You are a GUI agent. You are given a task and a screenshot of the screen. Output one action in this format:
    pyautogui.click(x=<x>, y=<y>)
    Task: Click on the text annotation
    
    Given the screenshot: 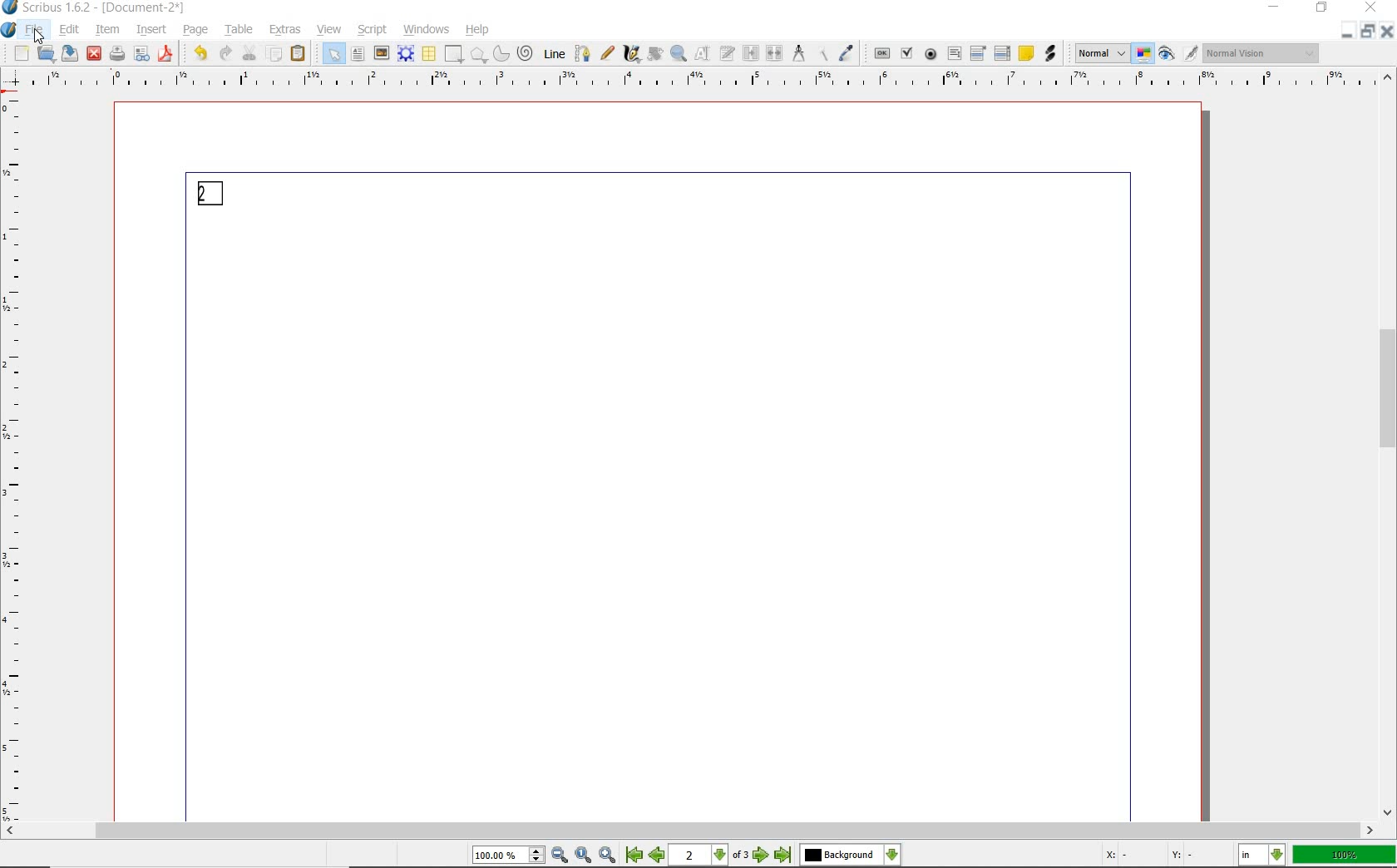 What is the action you would take?
    pyautogui.click(x=1026, y=54)
    